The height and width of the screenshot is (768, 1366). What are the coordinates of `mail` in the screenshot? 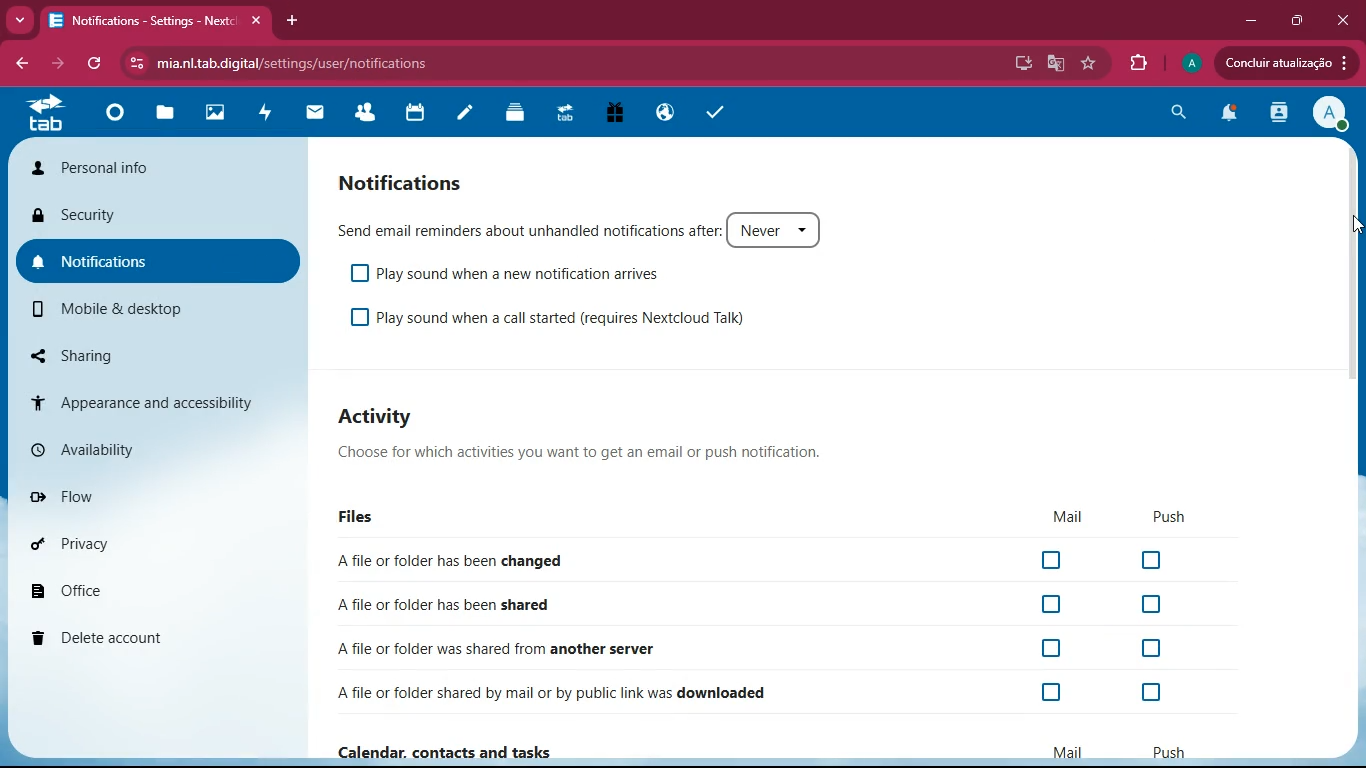 It's located at (1059, 513).